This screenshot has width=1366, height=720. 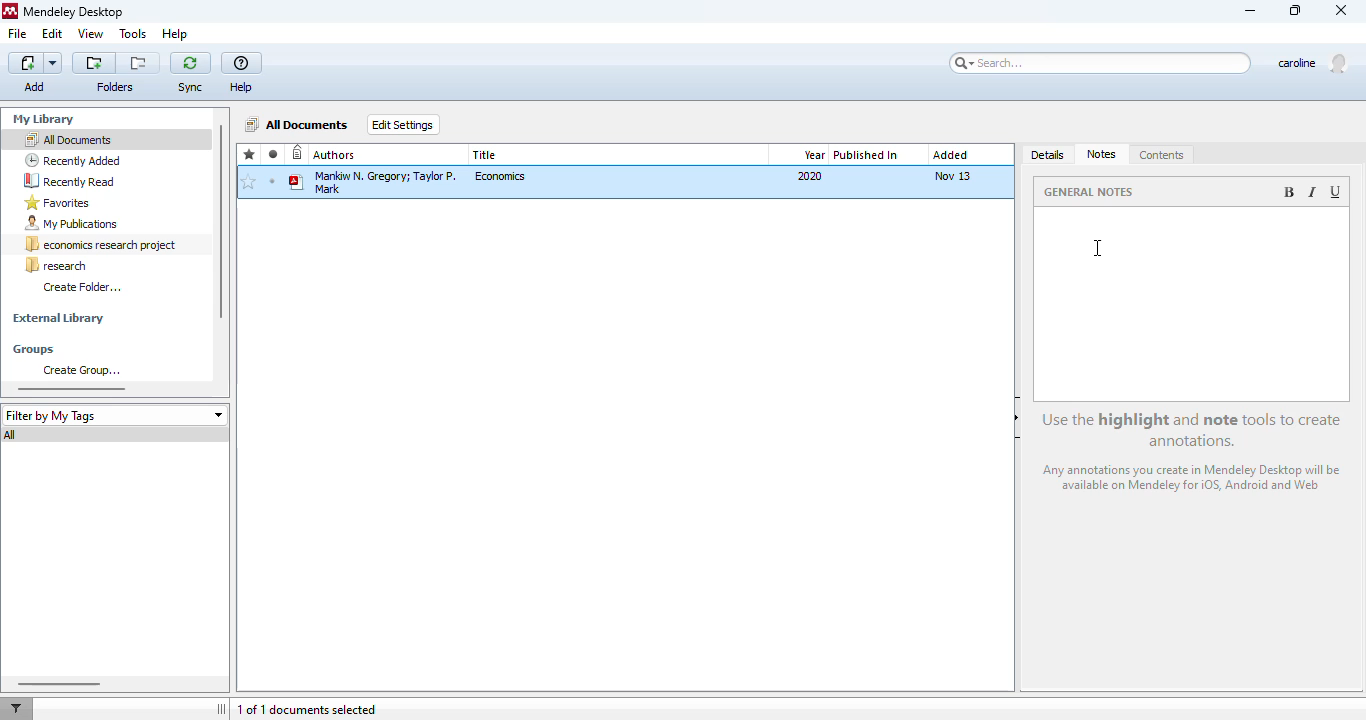 I want to click on added, so click(x=950, y=155).